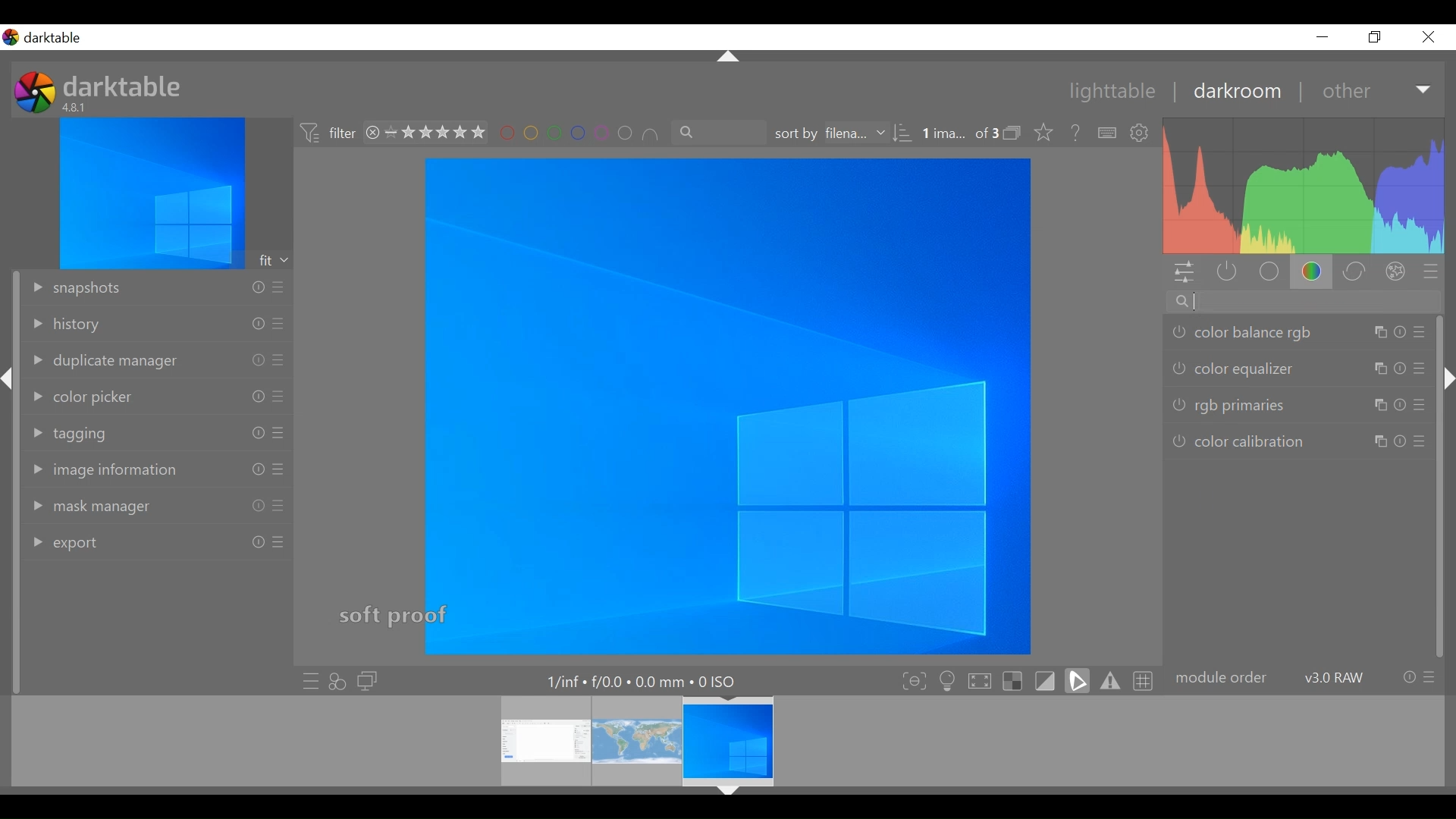  What do you see at coordinates (1305, 186) in the screenshot?
I see `histogram` at bounding box center [1305, 186].